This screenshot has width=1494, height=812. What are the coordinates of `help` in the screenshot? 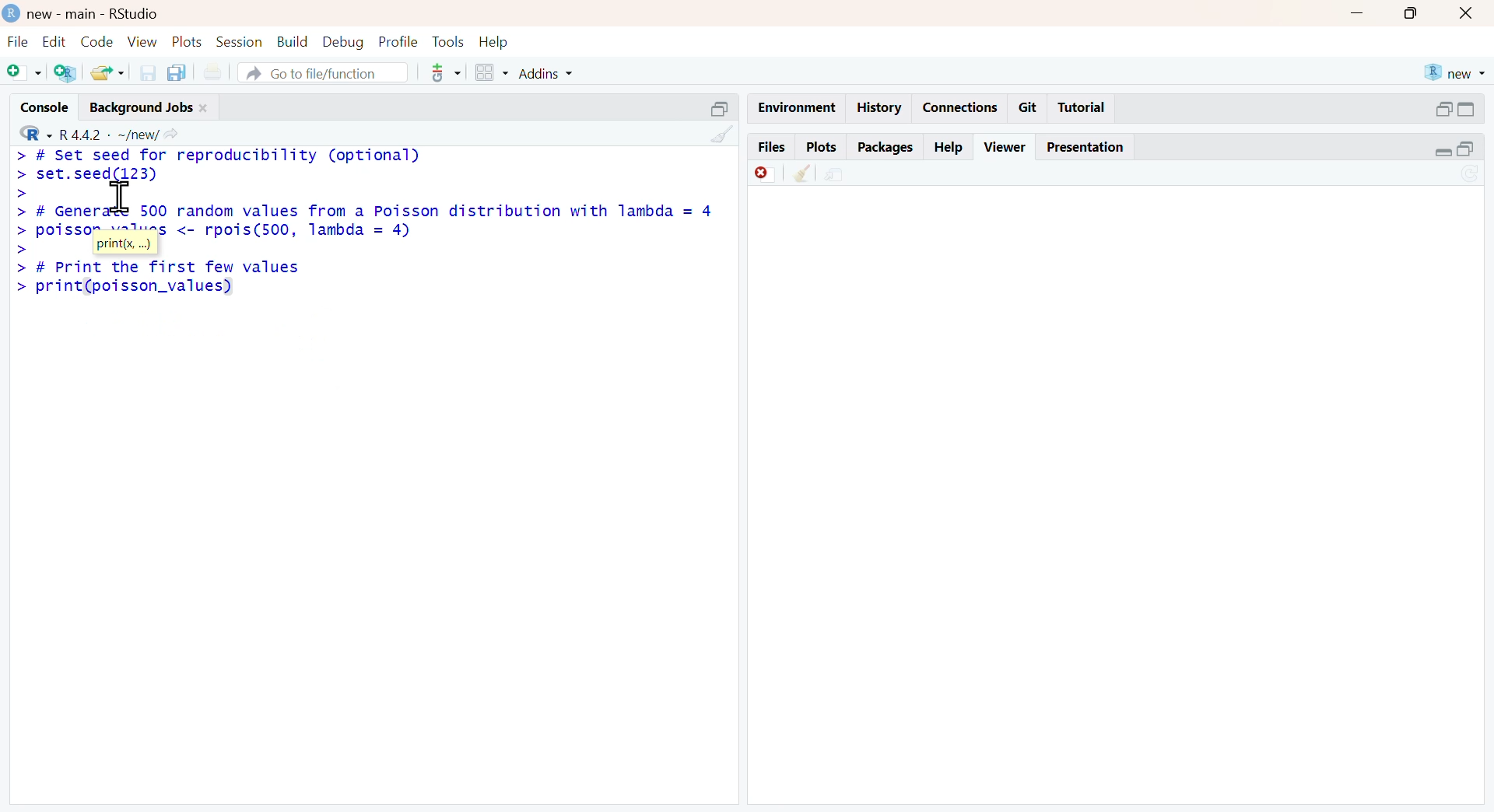 It's located at (494, 42).